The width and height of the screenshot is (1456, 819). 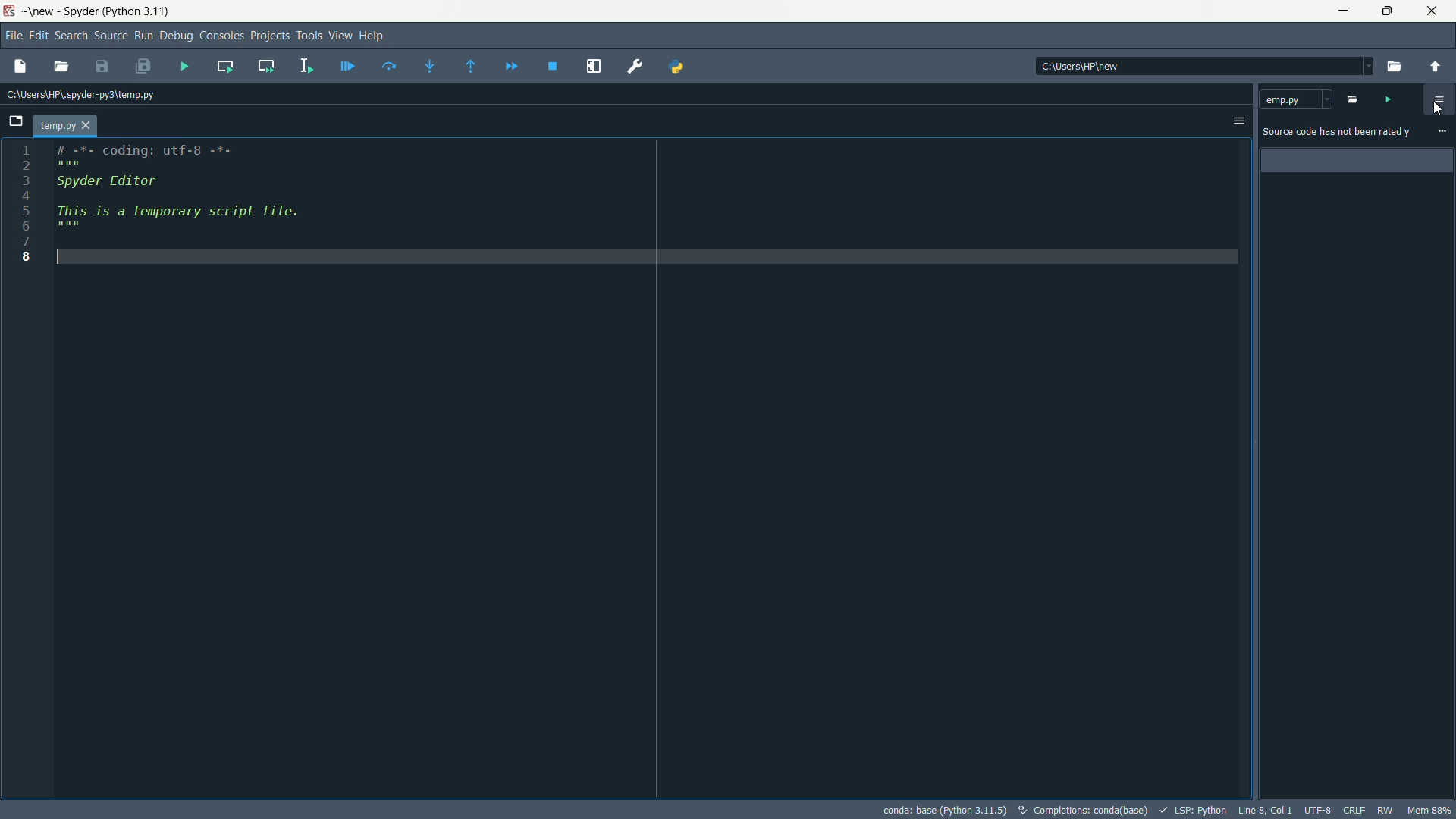 What do you see at coordinates (265, 66) in the screenshot?
I see `run current cell and go to the next one` at bounding box center [265, 66].